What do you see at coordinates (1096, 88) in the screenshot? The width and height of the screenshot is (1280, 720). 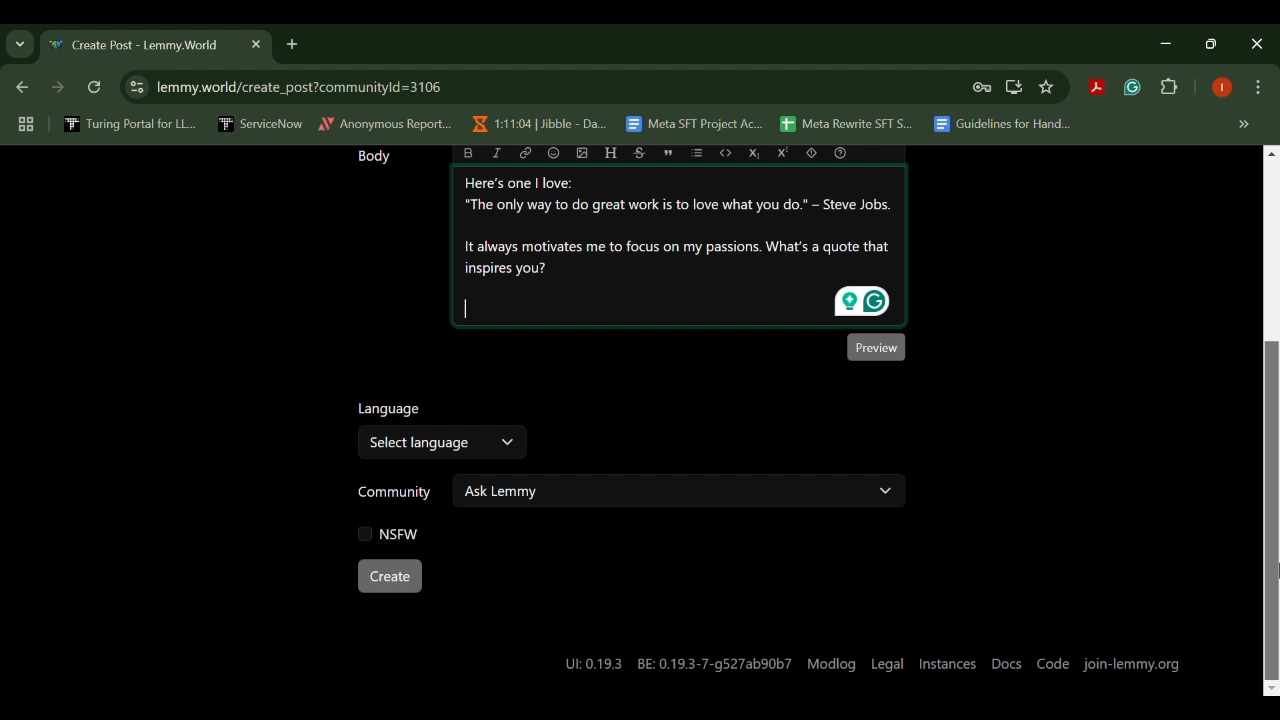 I see `Acrobat Extension` at bounding box center [1096, 88].